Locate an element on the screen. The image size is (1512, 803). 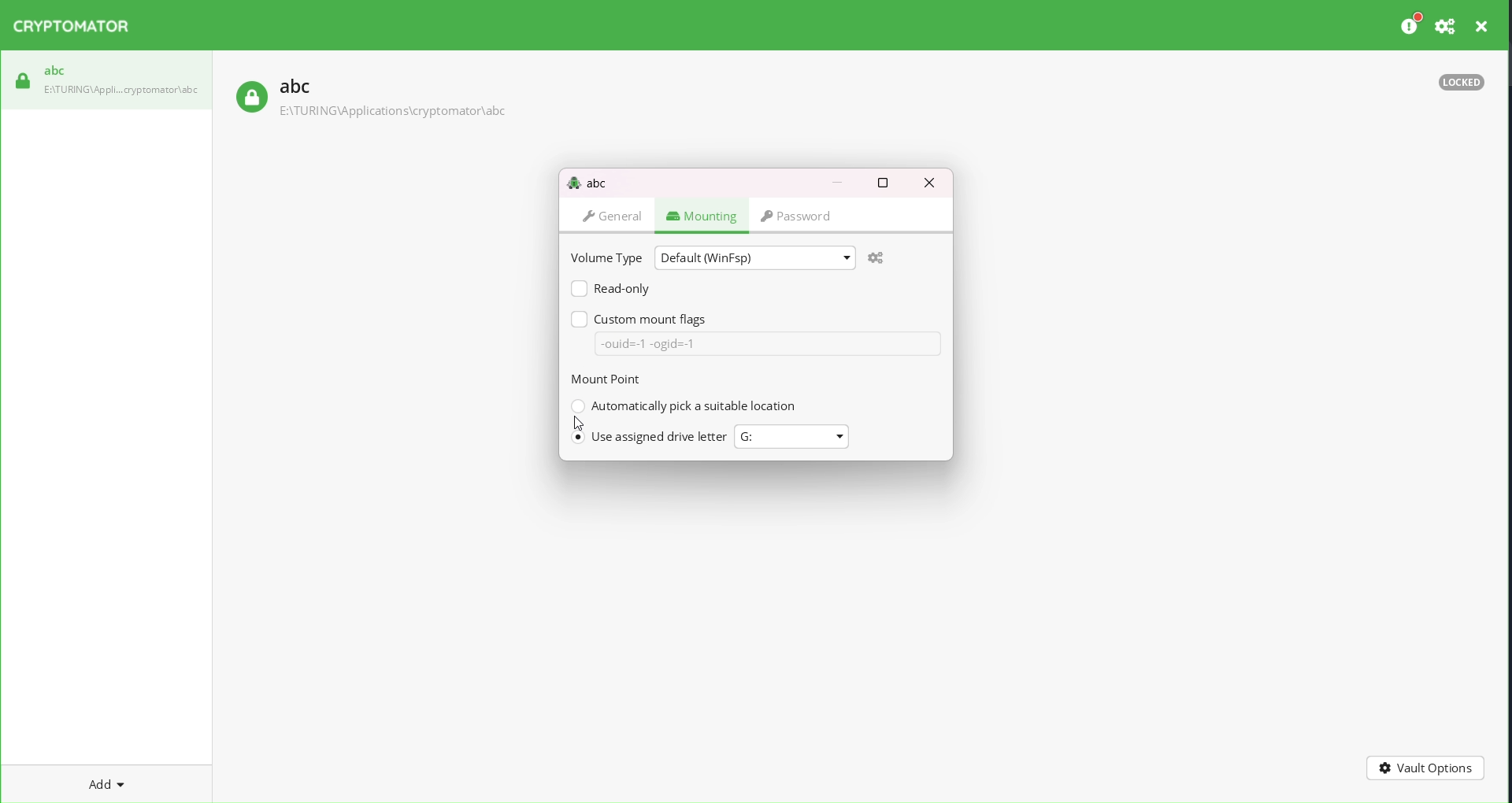
path is located at coordinates (124, 89).